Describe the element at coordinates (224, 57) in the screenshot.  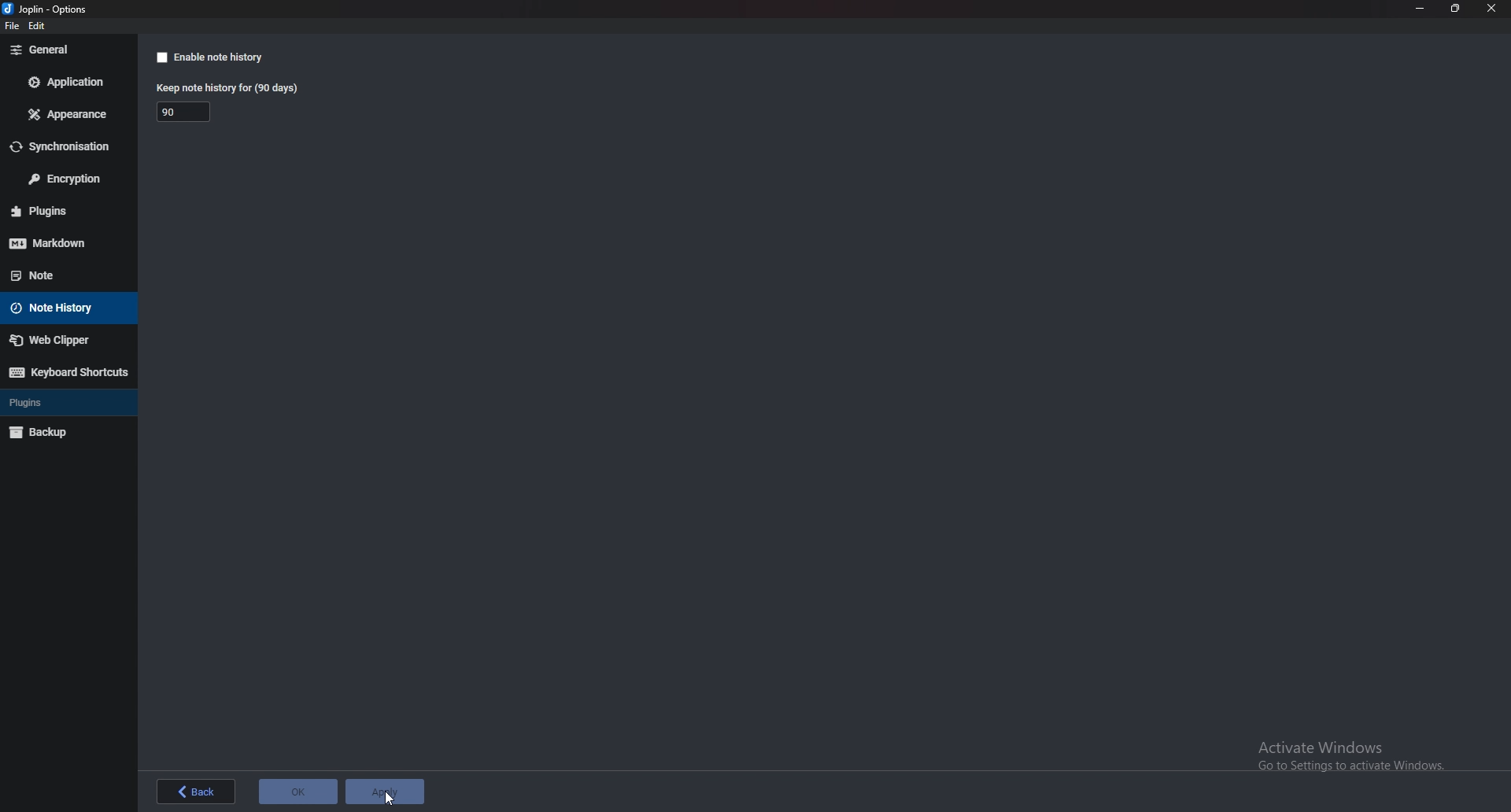
I see `Enable note history` at that location.